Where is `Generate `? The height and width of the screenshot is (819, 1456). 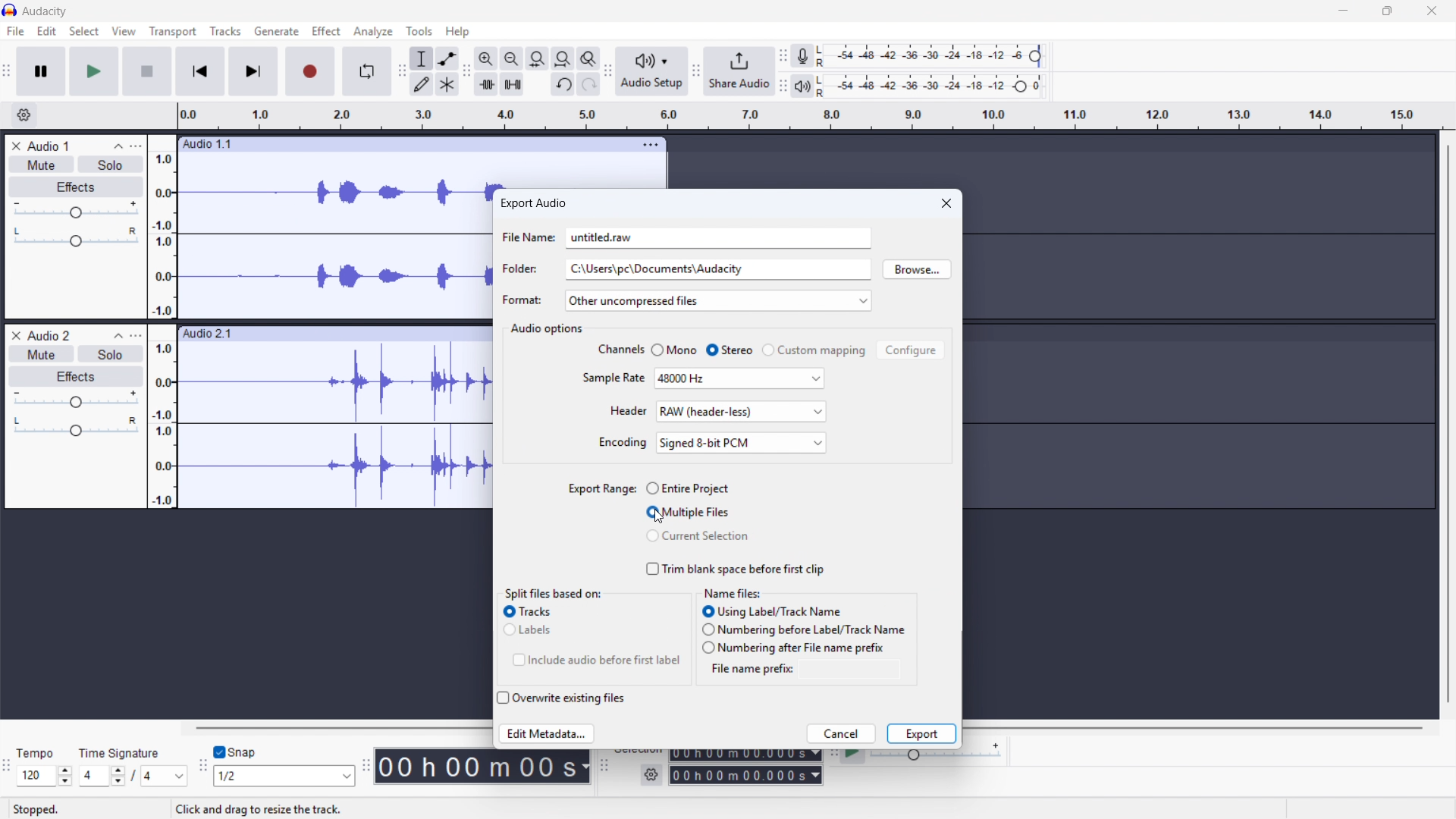 Generate  is located at coordinates (277, 31).